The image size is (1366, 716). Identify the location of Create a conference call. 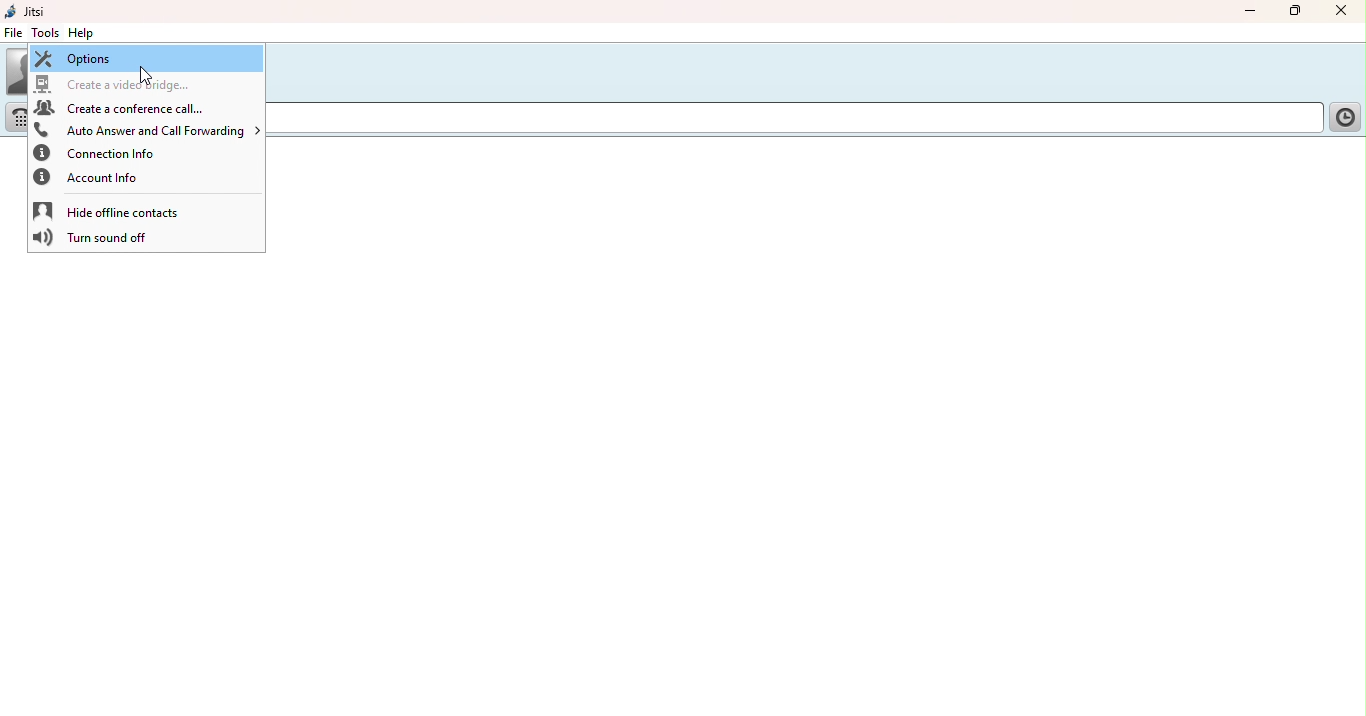
(127, 108).